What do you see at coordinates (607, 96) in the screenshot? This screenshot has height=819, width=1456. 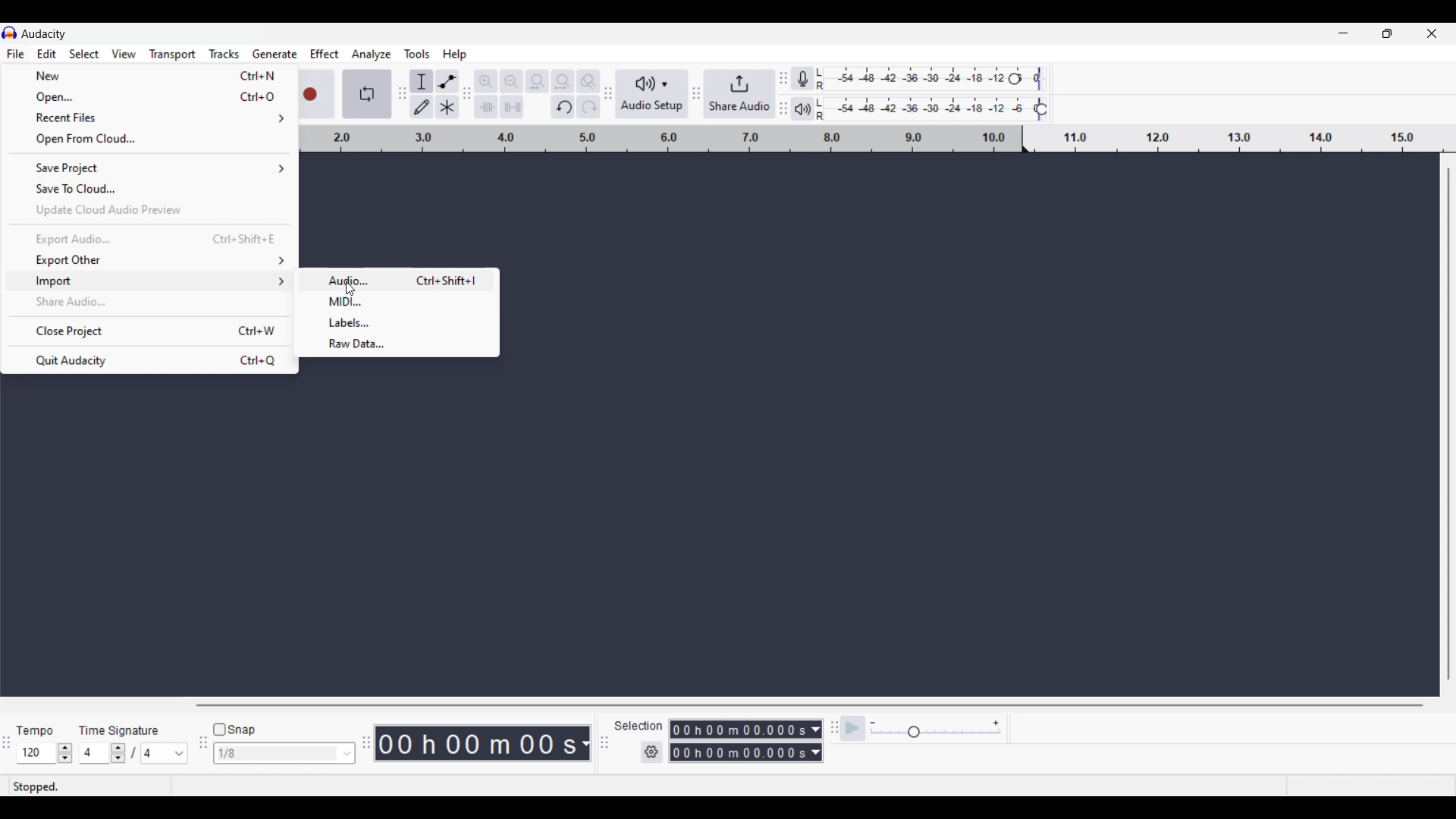 I see `audio set up tool bar` at bounding box center [607, 96].